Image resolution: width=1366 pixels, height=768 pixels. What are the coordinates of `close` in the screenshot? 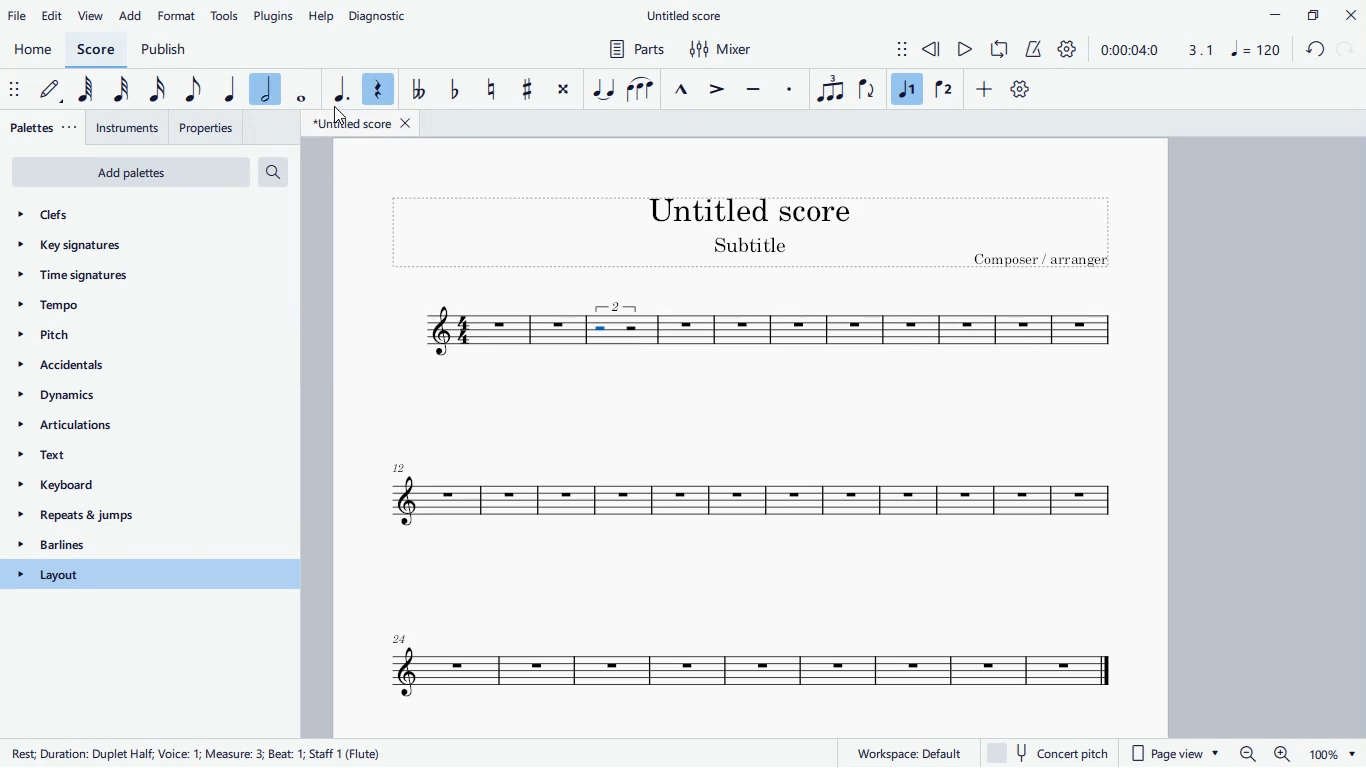 It's located at (1350, 14).